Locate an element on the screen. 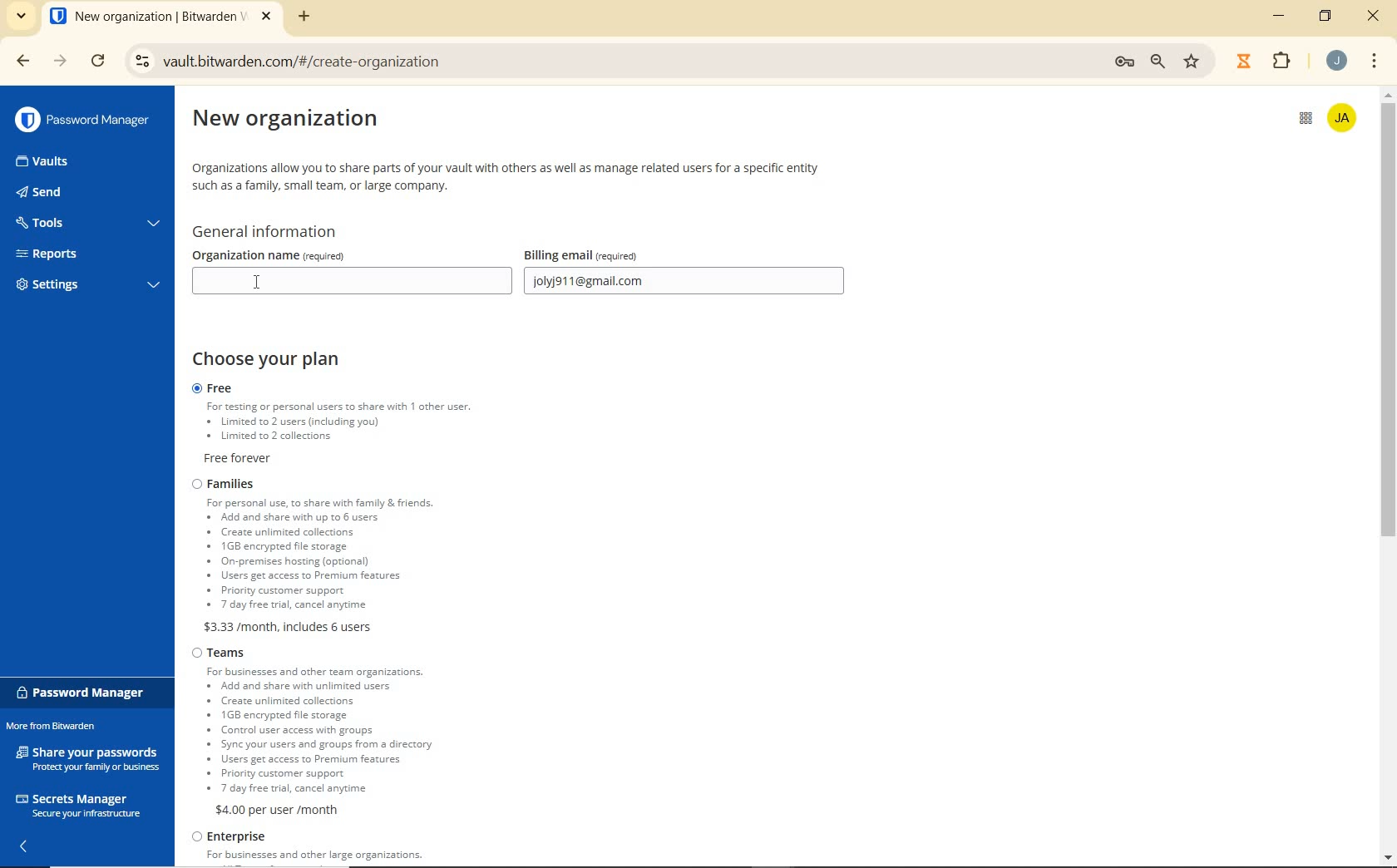 The width and height of the screenshot is (1397, 868). minimize is located at coordinates (1281, 16).